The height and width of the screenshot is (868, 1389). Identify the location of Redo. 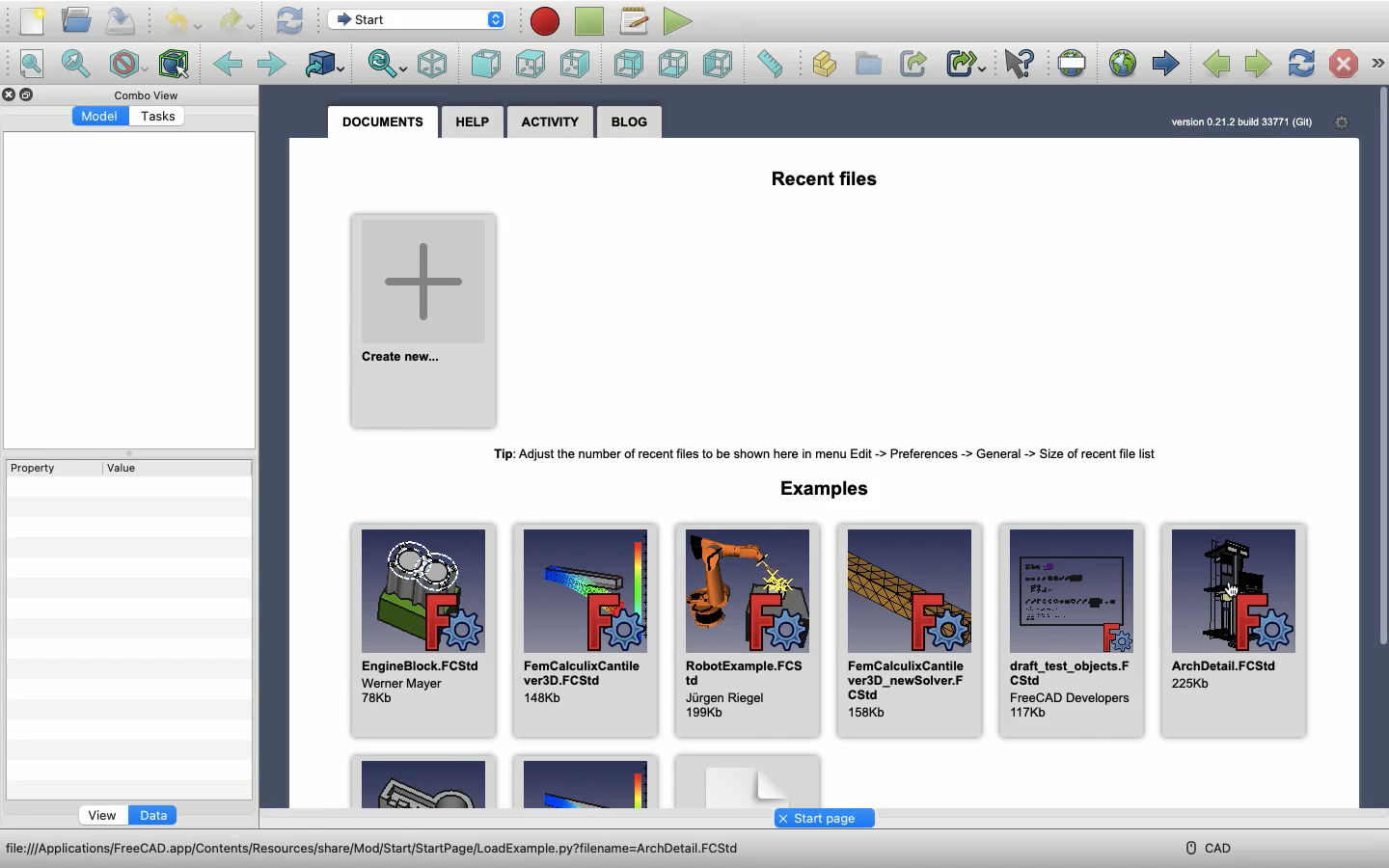
(238, 23).